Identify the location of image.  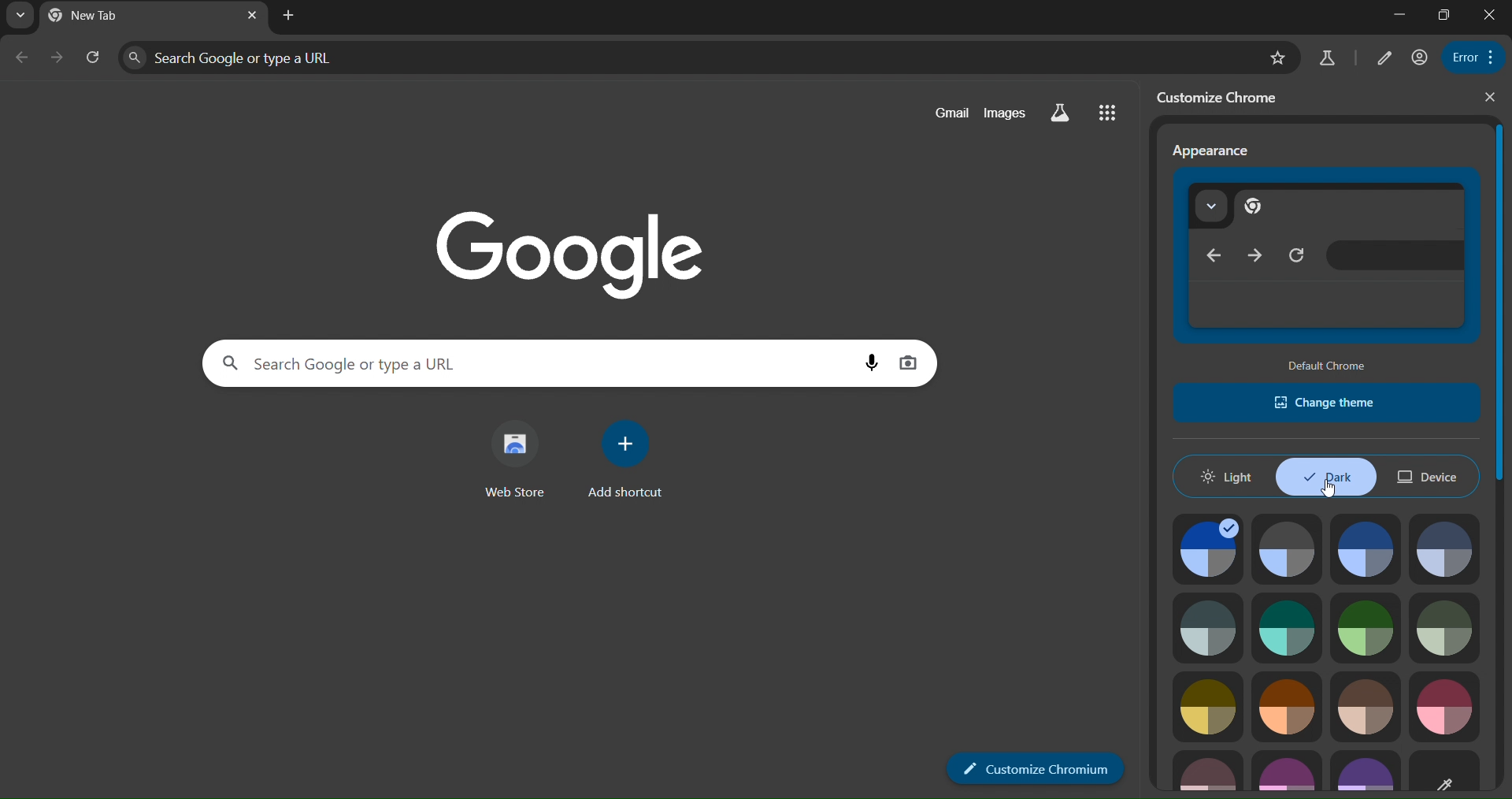
(603, 255).